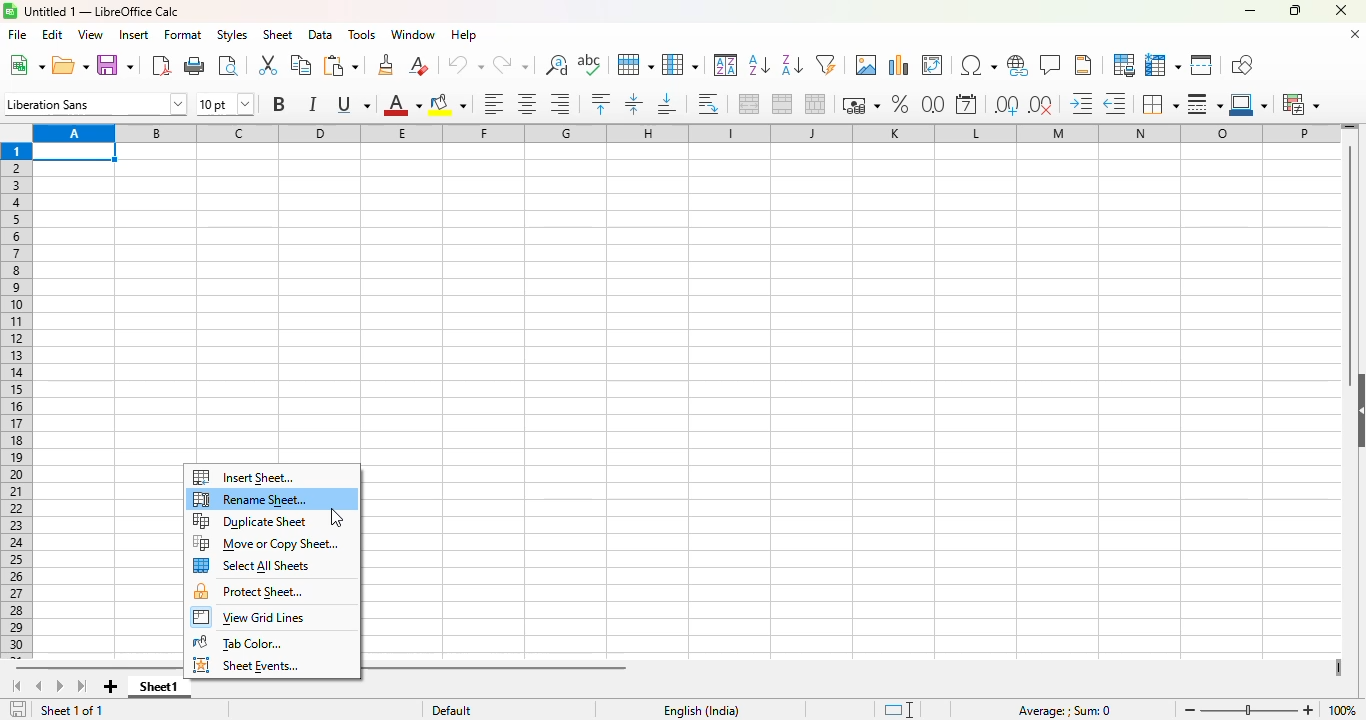 The height and width of the screenshot is (720, 1366). Describe the element at coordinates (301, 63) in the screenshot. I see `copy` at that location.